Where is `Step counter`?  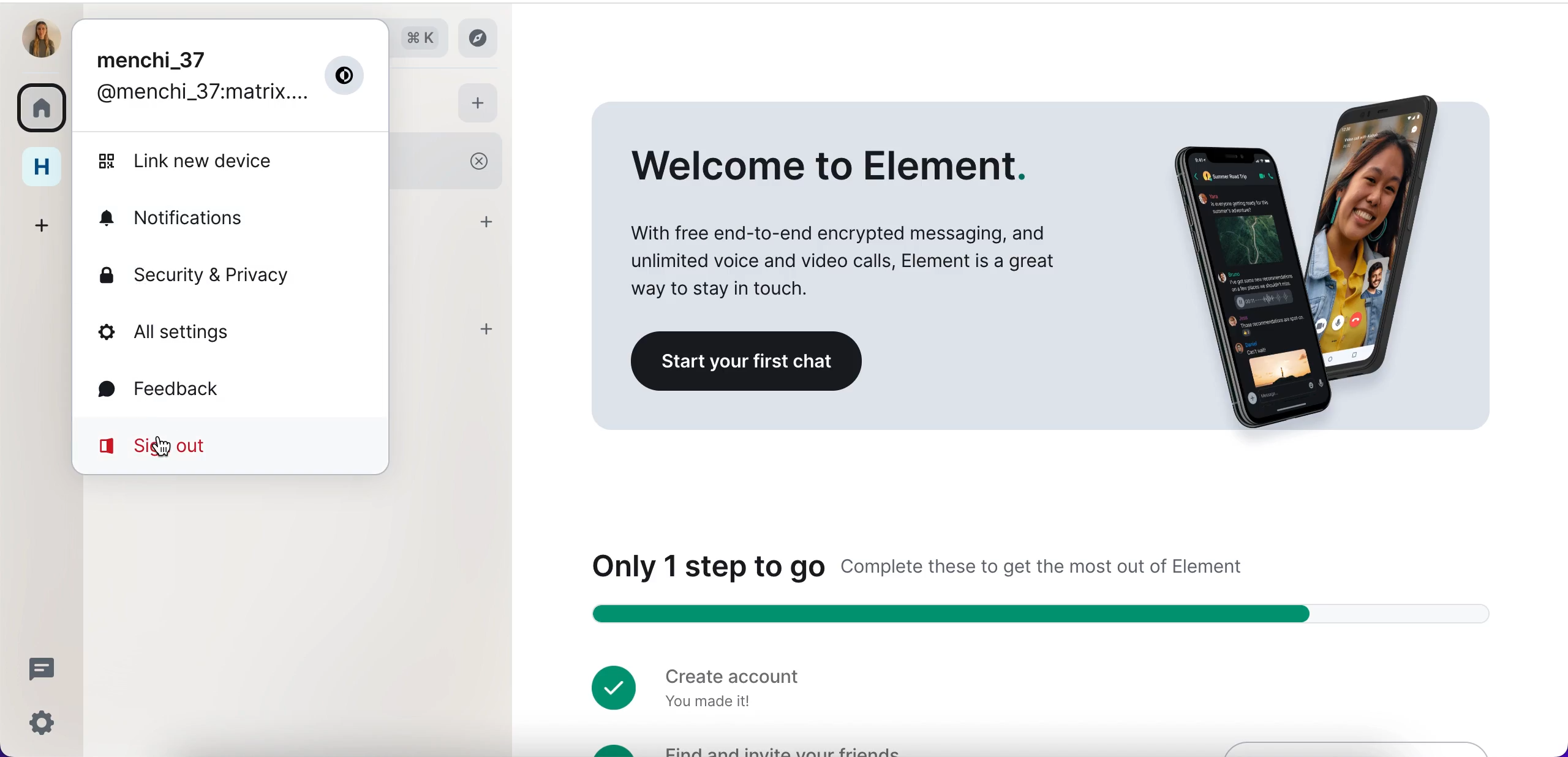
Step counter is located at coordinates (1049, 615).